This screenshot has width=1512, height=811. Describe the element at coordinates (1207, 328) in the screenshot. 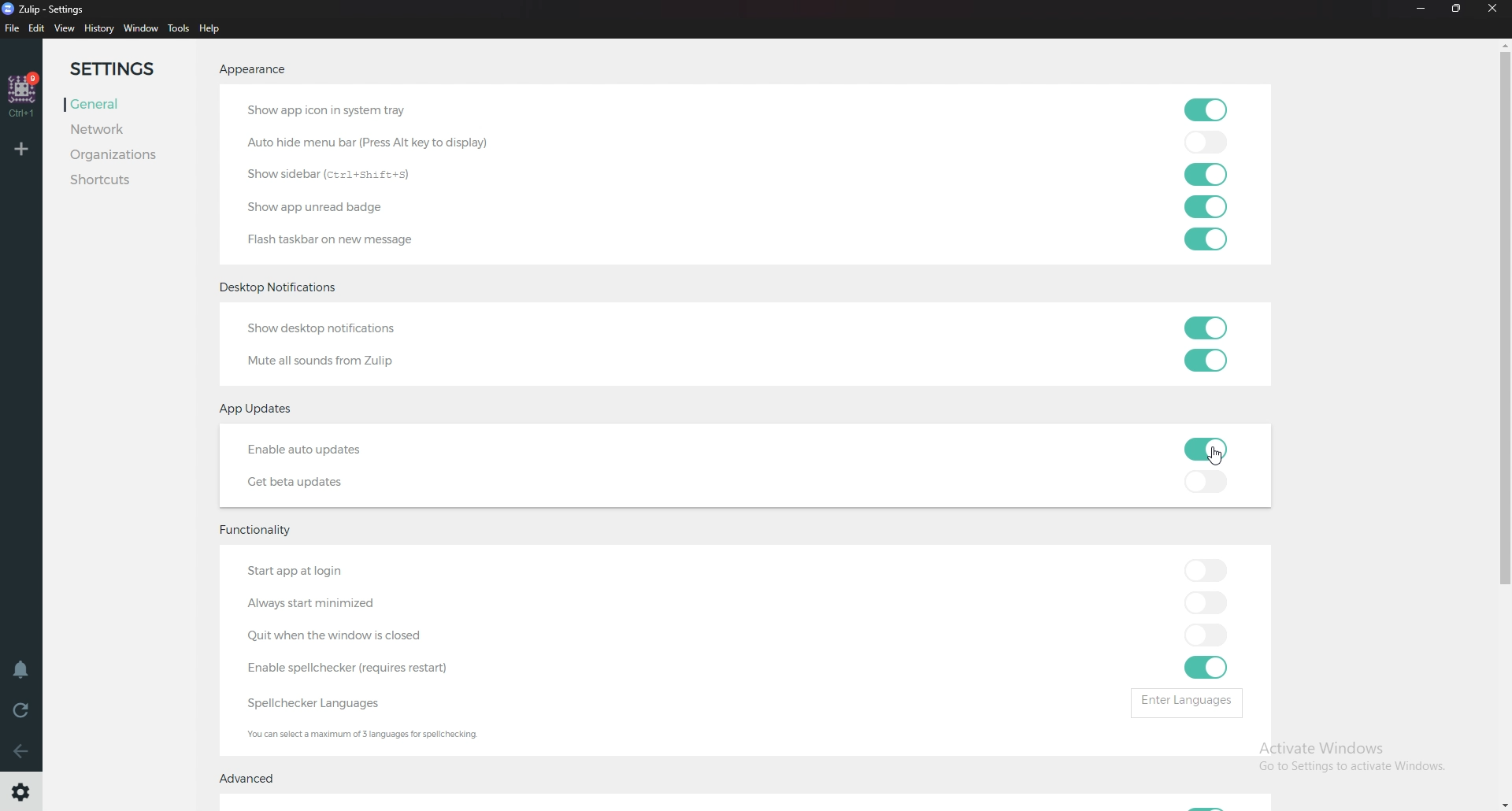

I see `toggle` at that location.